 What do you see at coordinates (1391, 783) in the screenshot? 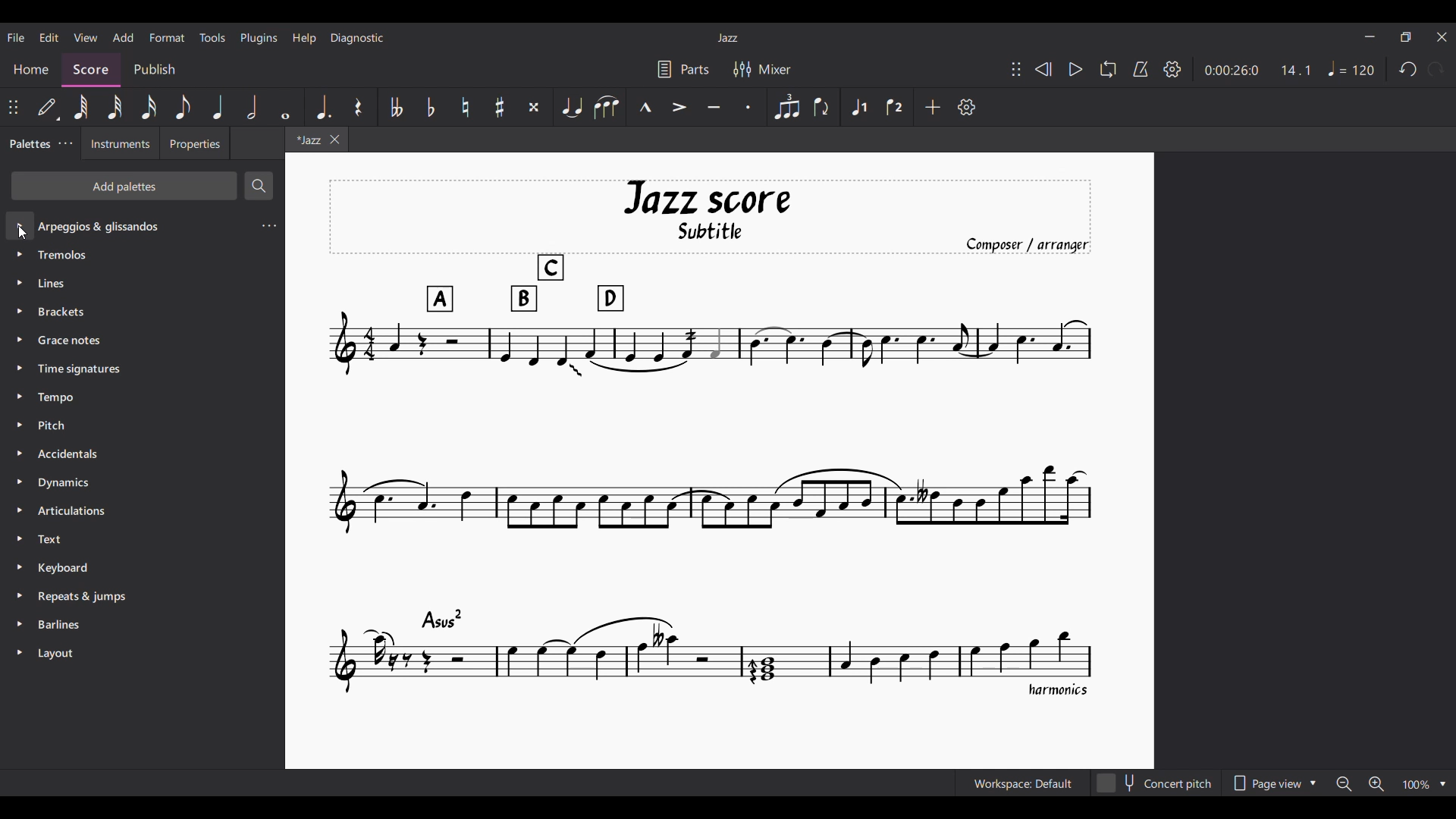
I see `Zoom options` at bounding box center [1391, 783].